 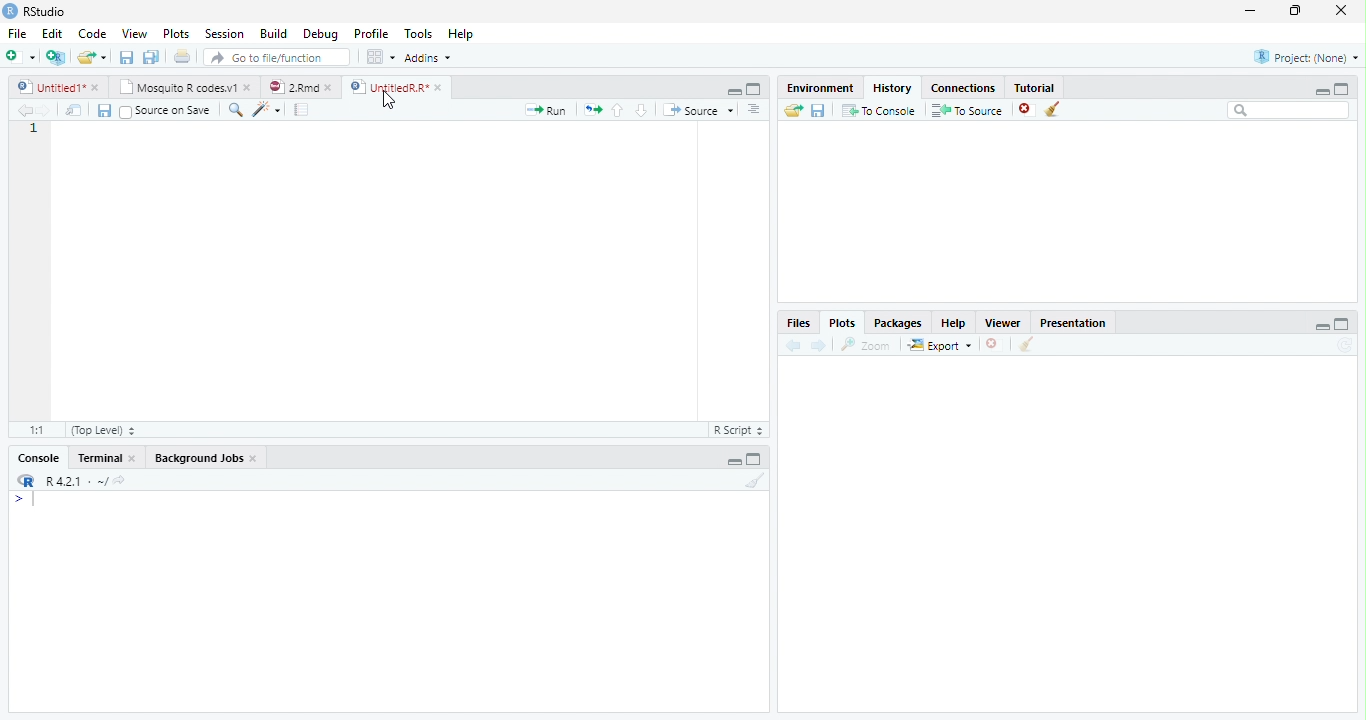 I want to click on Create a Project, so click(x=56, y=58).